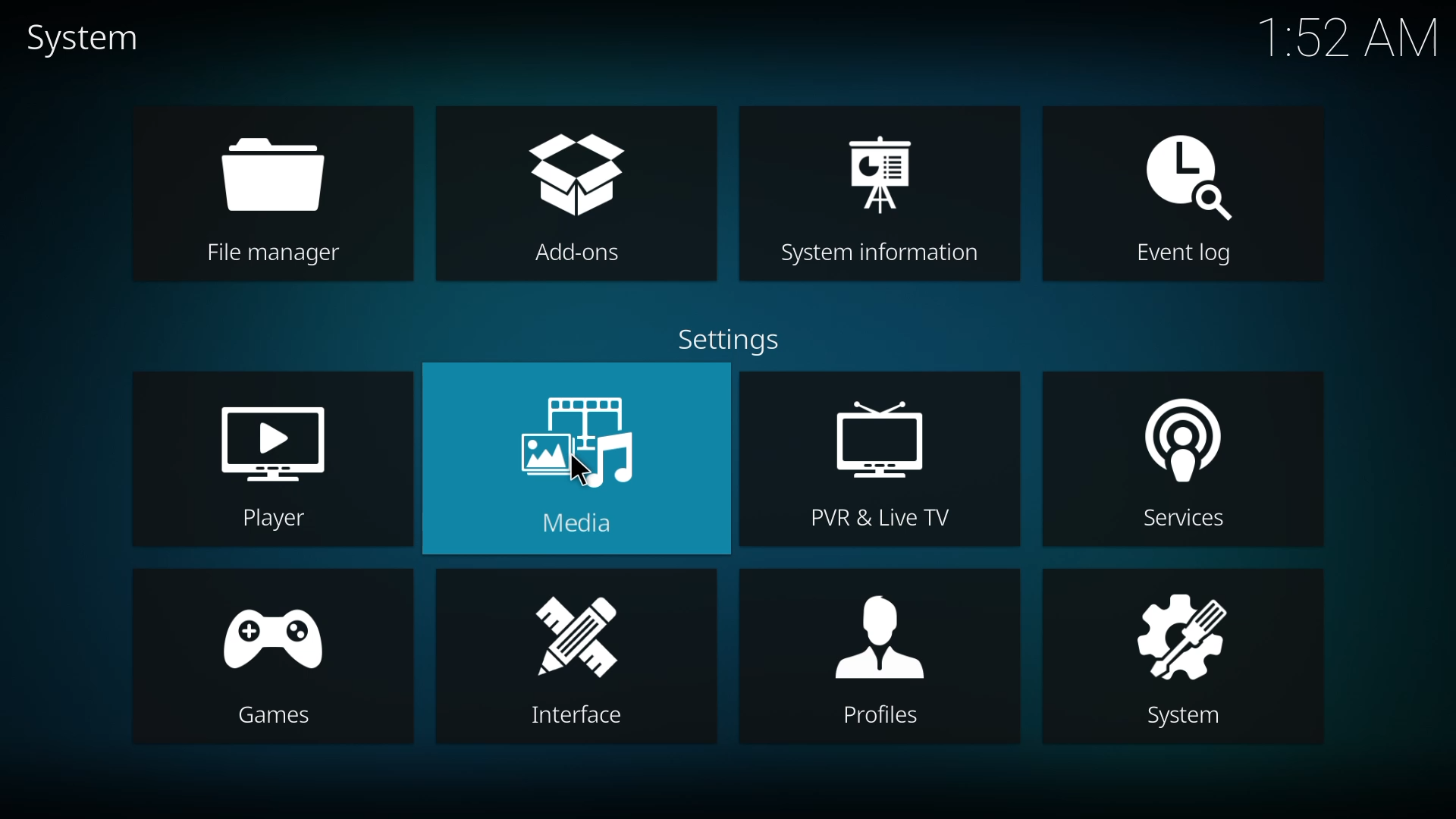 Image resolution: width=1456 pixels, height=819 pixels. I want to click on event log, so click(1191, 200).